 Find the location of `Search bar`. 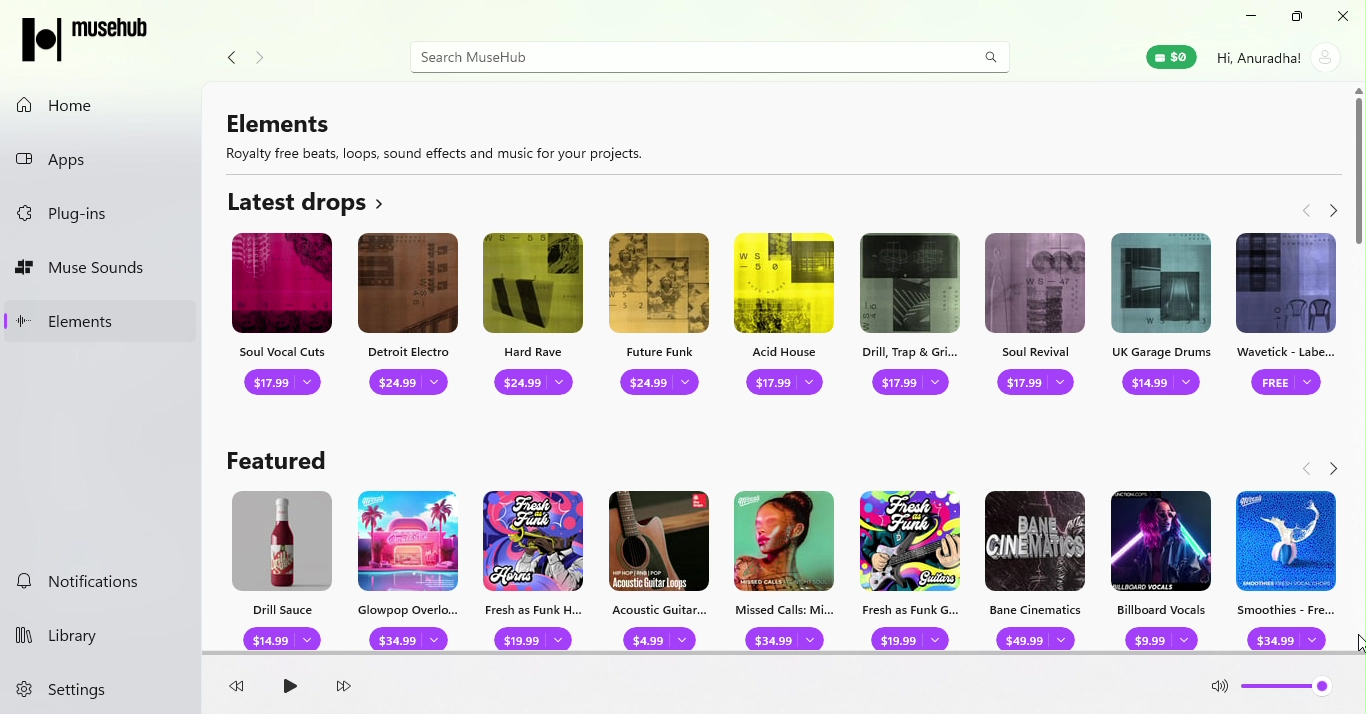

Search bar is located at coordinates (682, 57).